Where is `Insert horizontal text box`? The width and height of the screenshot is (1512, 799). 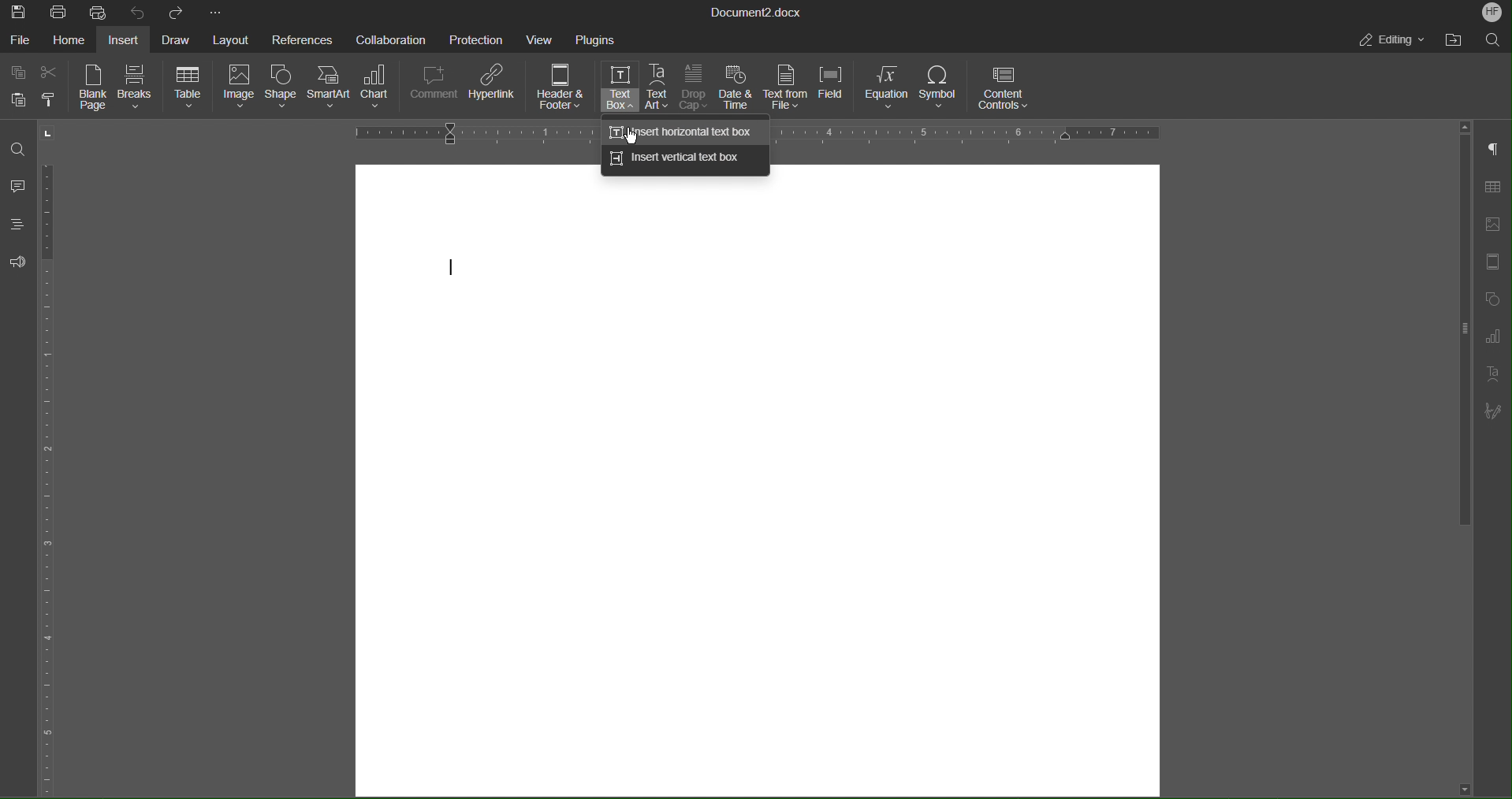
Insert horizontal text box is located at coordinates (684, 131).